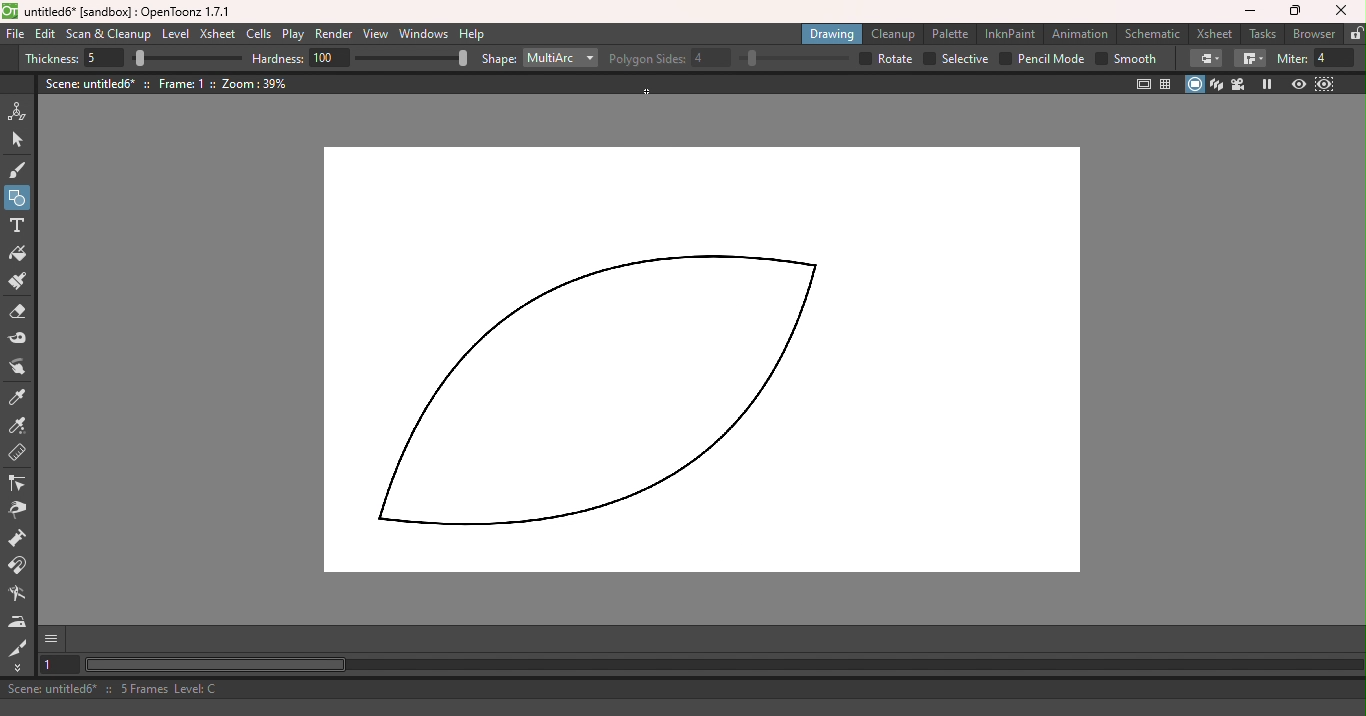 The height and width of the screenshot is (716, 1366). What do you see at coordinates (20, 112) in the screenshot?
I see `Animate tool` at bounding box center [20, 112].